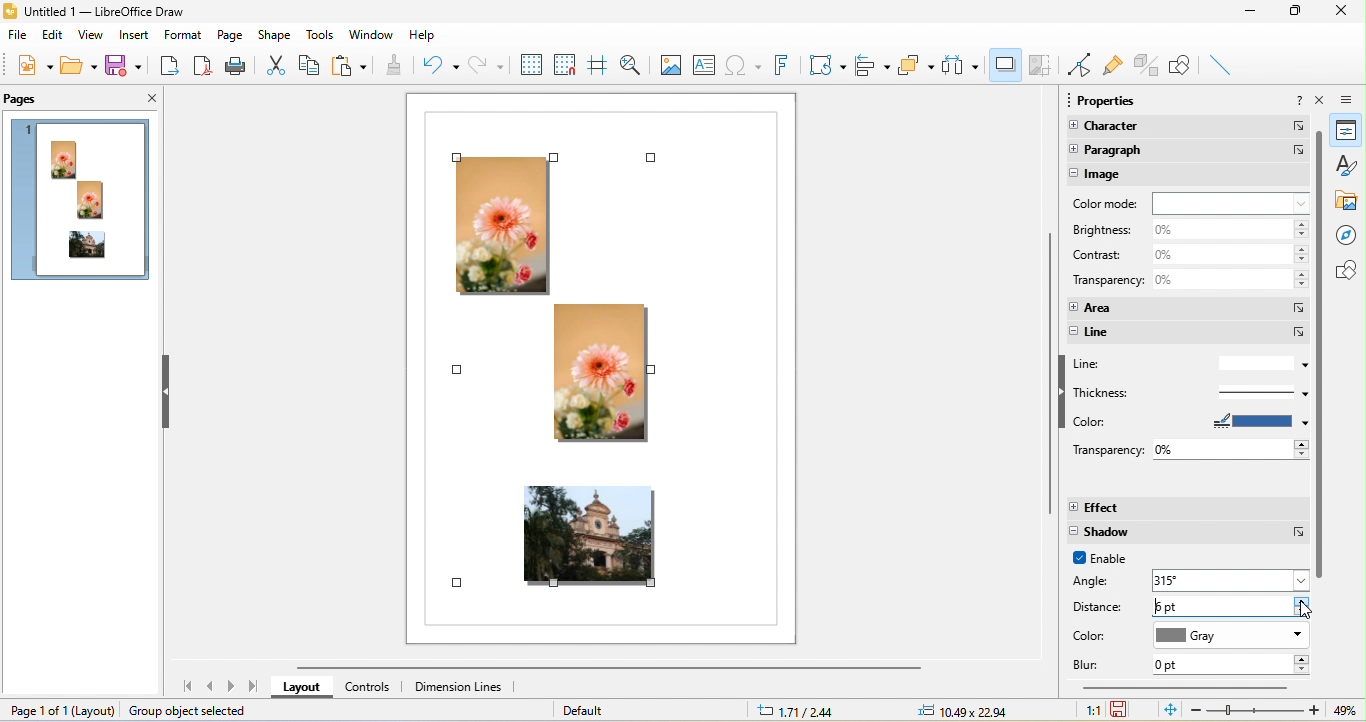  Describe the element at coordinates (53, 38) in the screenshot. I see `edit` at that location.